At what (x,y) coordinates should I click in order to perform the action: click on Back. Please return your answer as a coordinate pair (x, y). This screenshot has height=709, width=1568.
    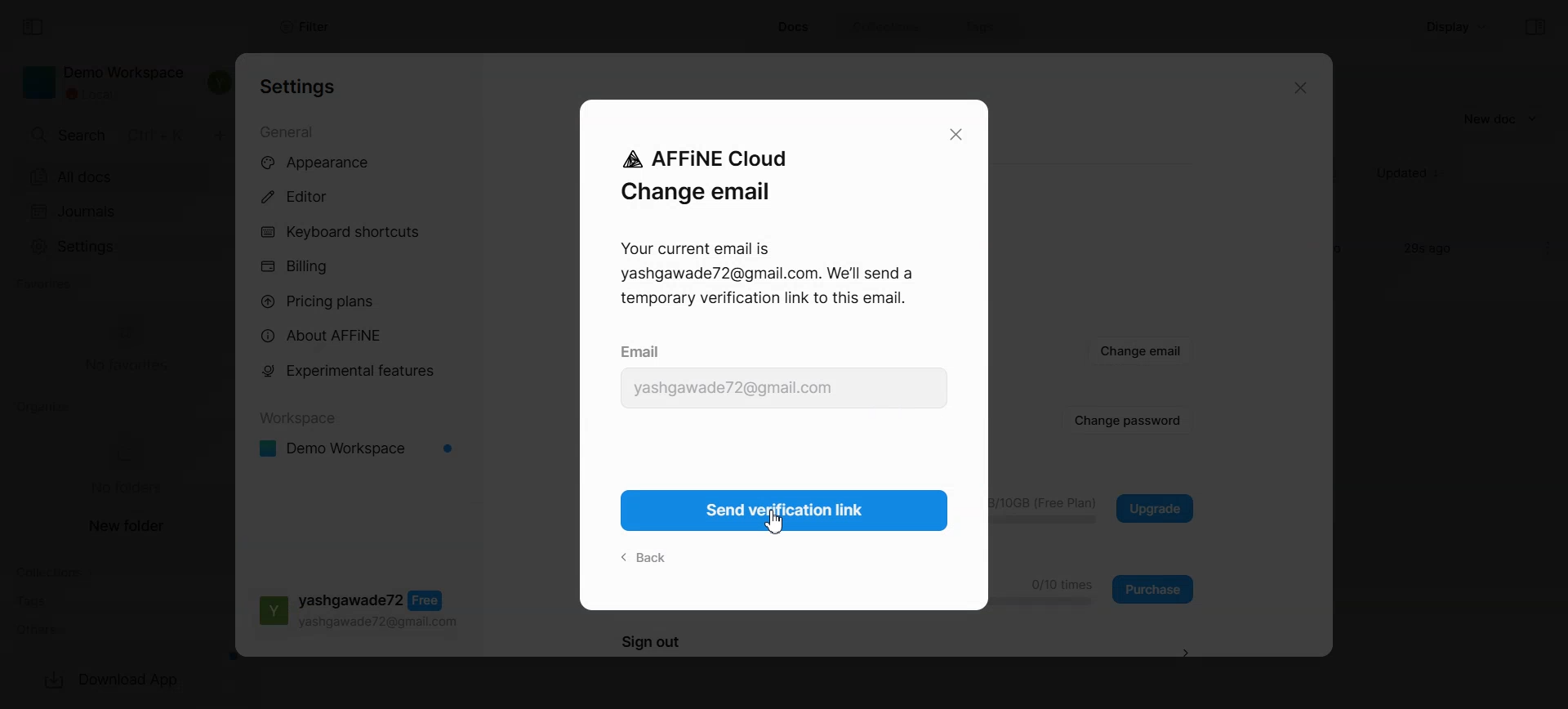
    Looking at the image, I should click on (646, 557).